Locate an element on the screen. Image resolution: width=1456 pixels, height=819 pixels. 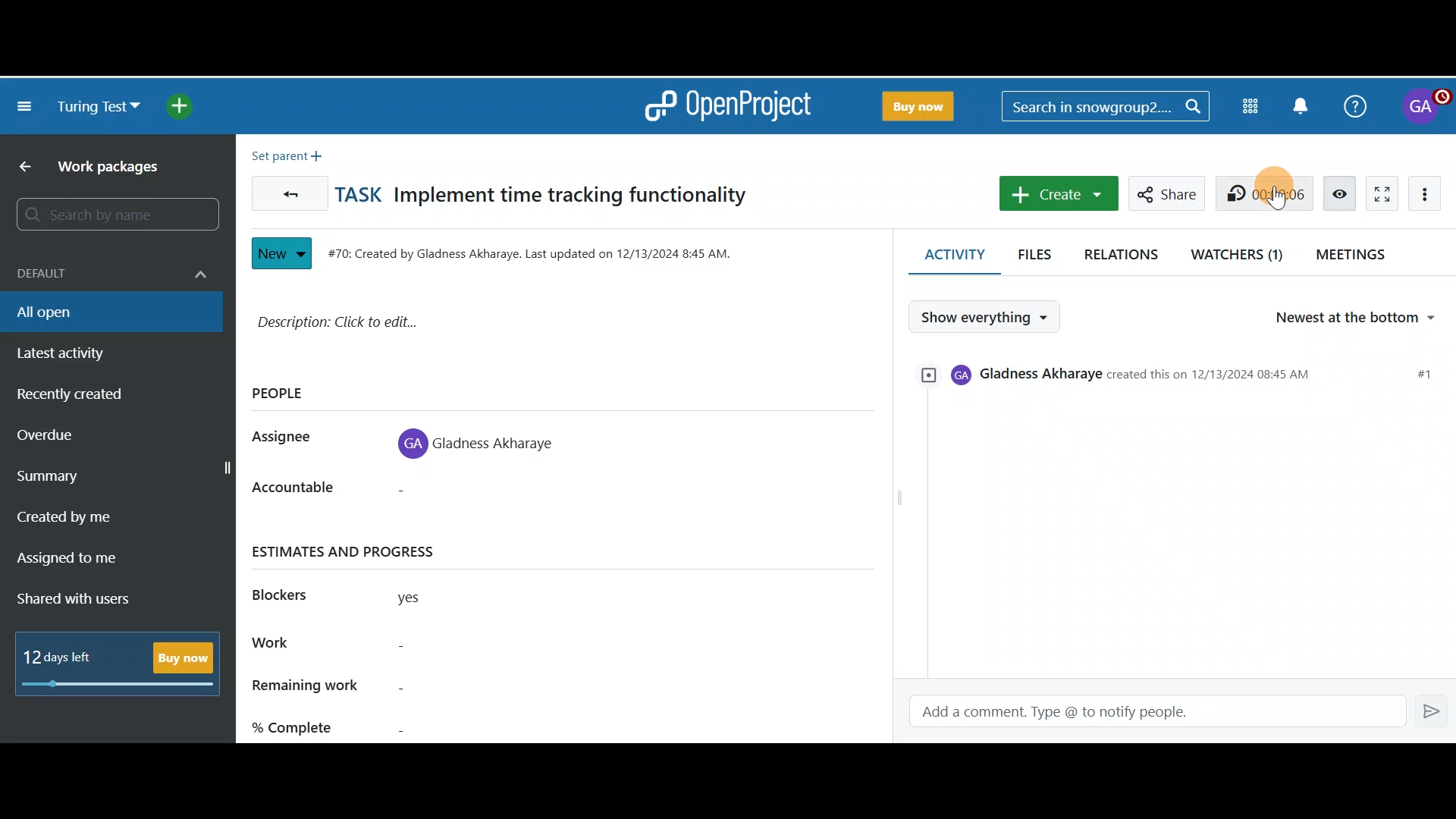
Open quick add menu is located at coordinates (187, 106).